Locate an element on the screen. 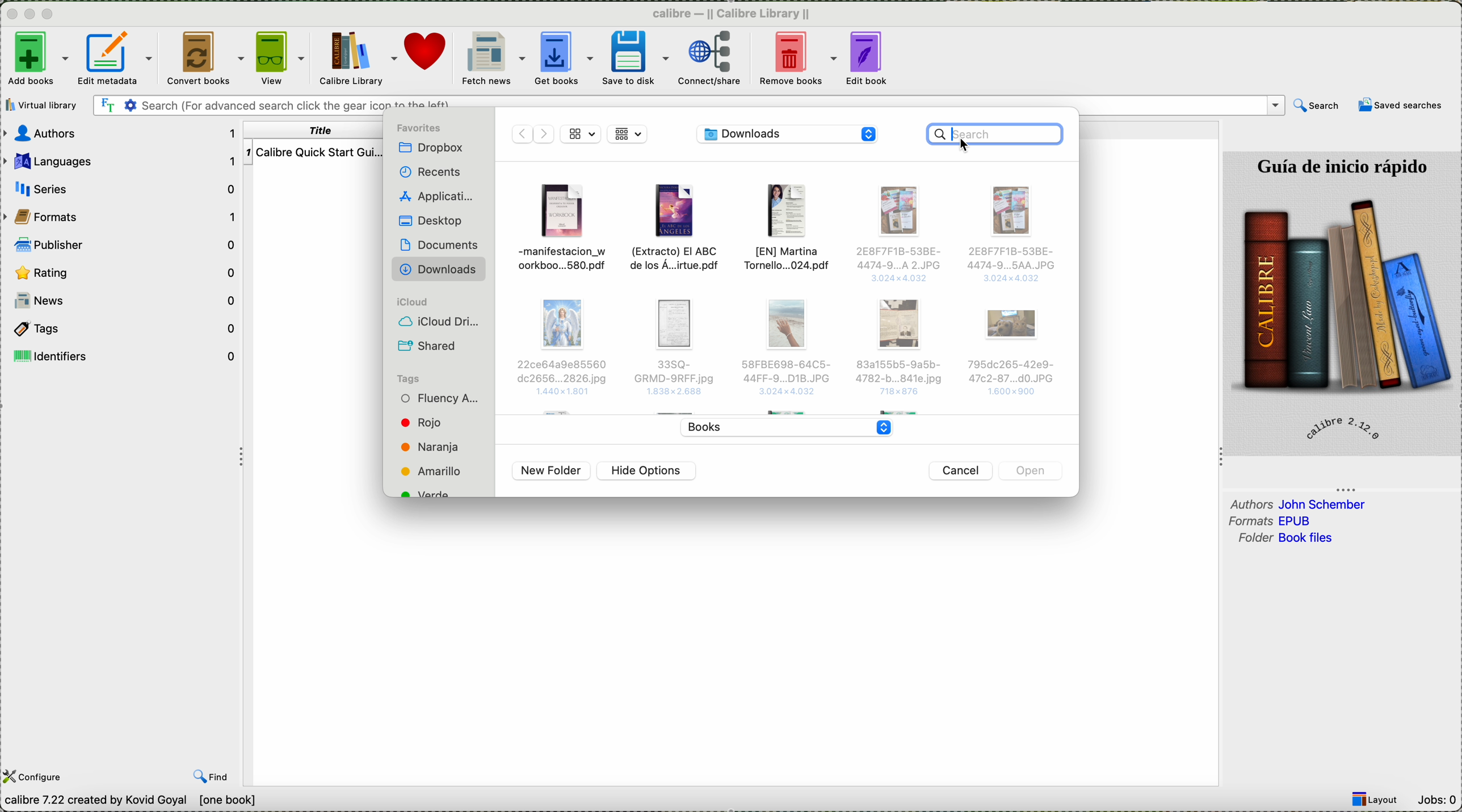  convert books is located at coordinates (205, 57).